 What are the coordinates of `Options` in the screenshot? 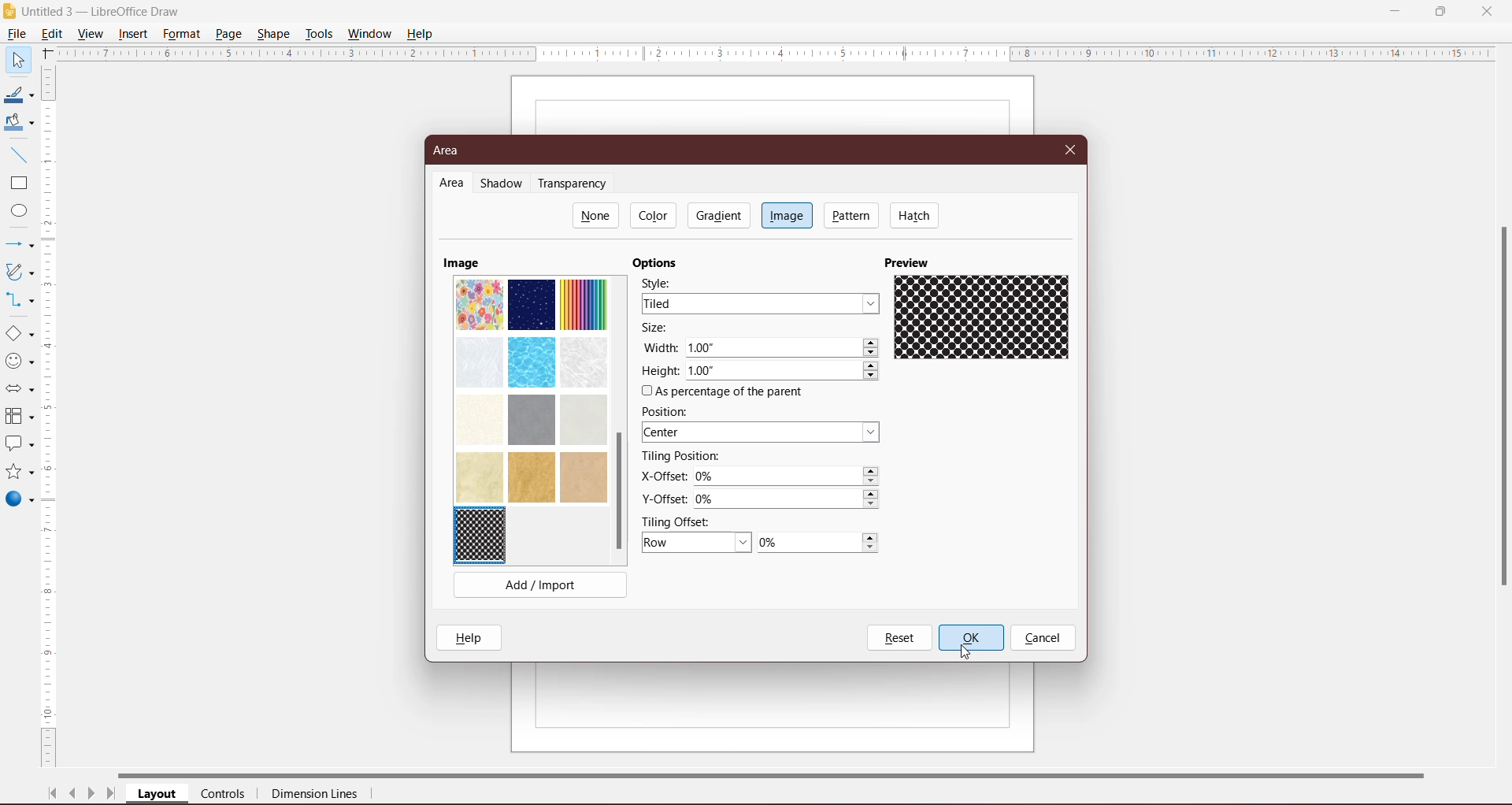 It's located at (659, 263).